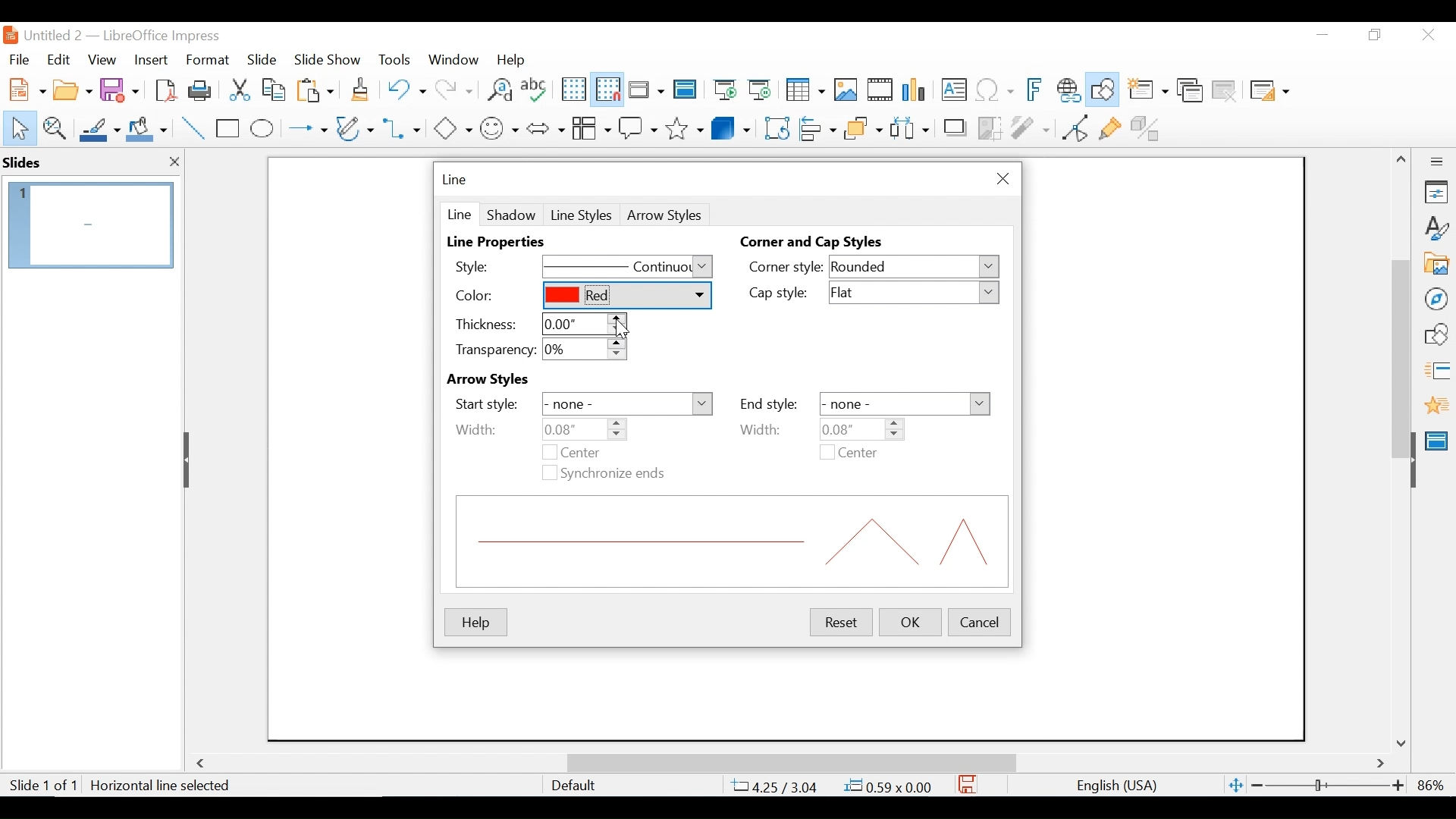  Describe the element at coordinates (458, 213) in the screenshot. I see `Line ` at that location.